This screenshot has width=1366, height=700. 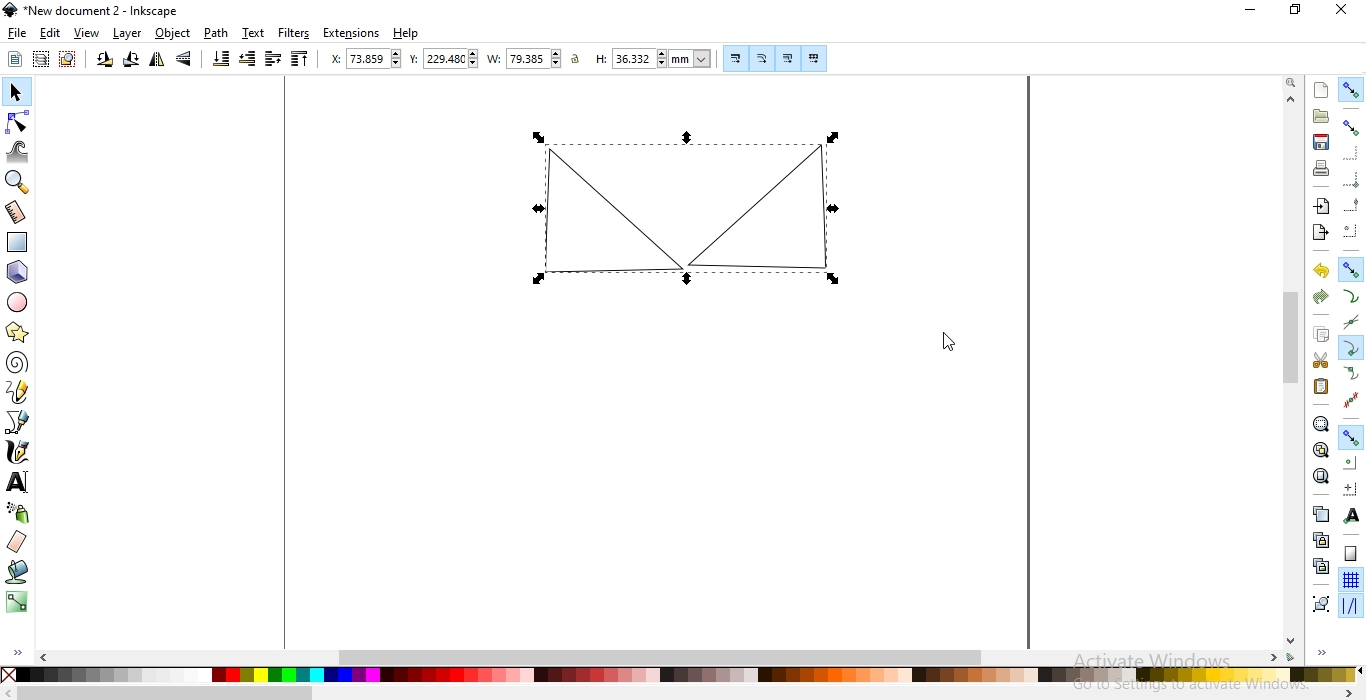 I want to click on export this document, so click(x=1320, y=231).